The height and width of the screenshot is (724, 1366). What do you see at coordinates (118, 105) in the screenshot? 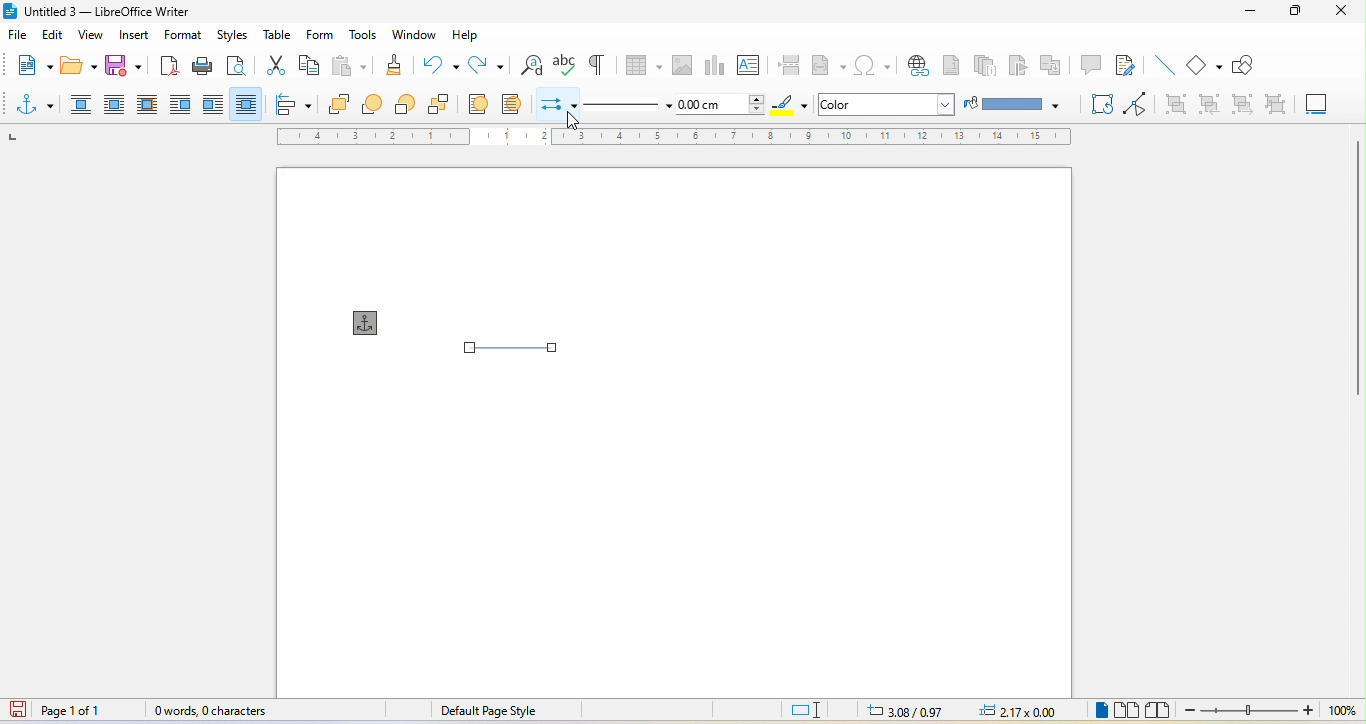
I see `parallel` at bounding box center [118, 105].